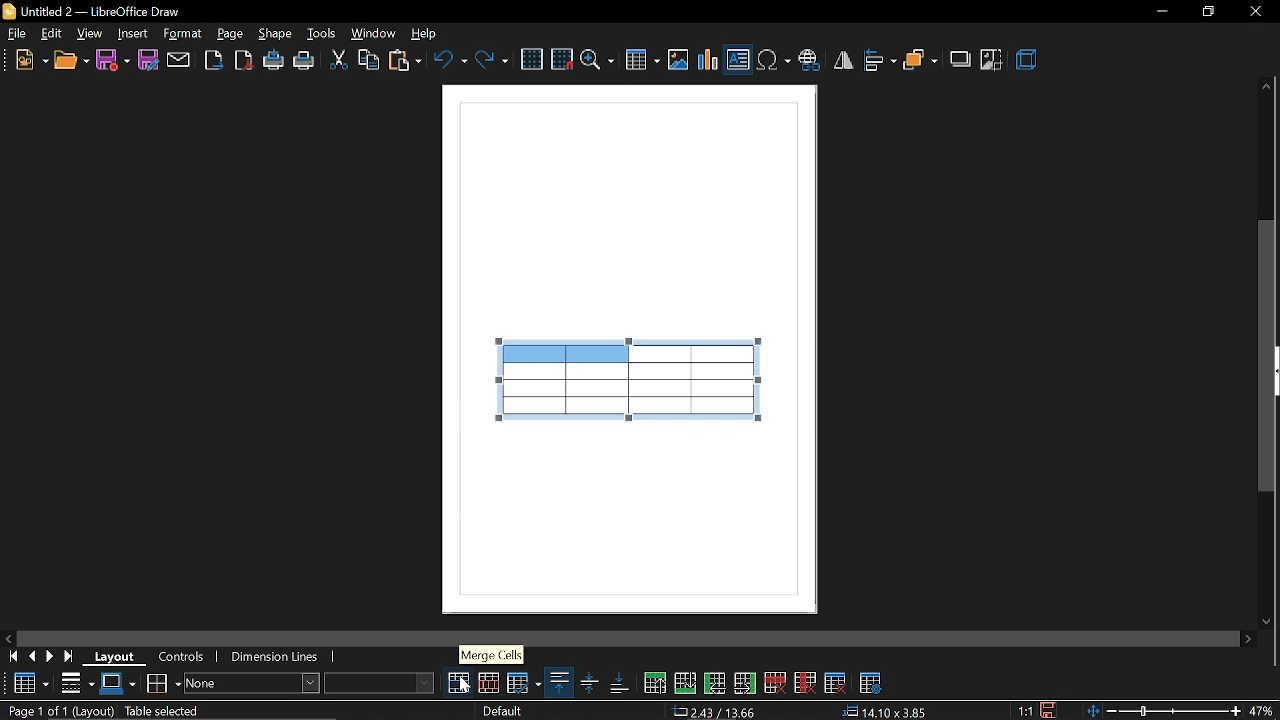  Describe the element at coordinates (1254, 14) in the screenshot. I see `close` at that location.